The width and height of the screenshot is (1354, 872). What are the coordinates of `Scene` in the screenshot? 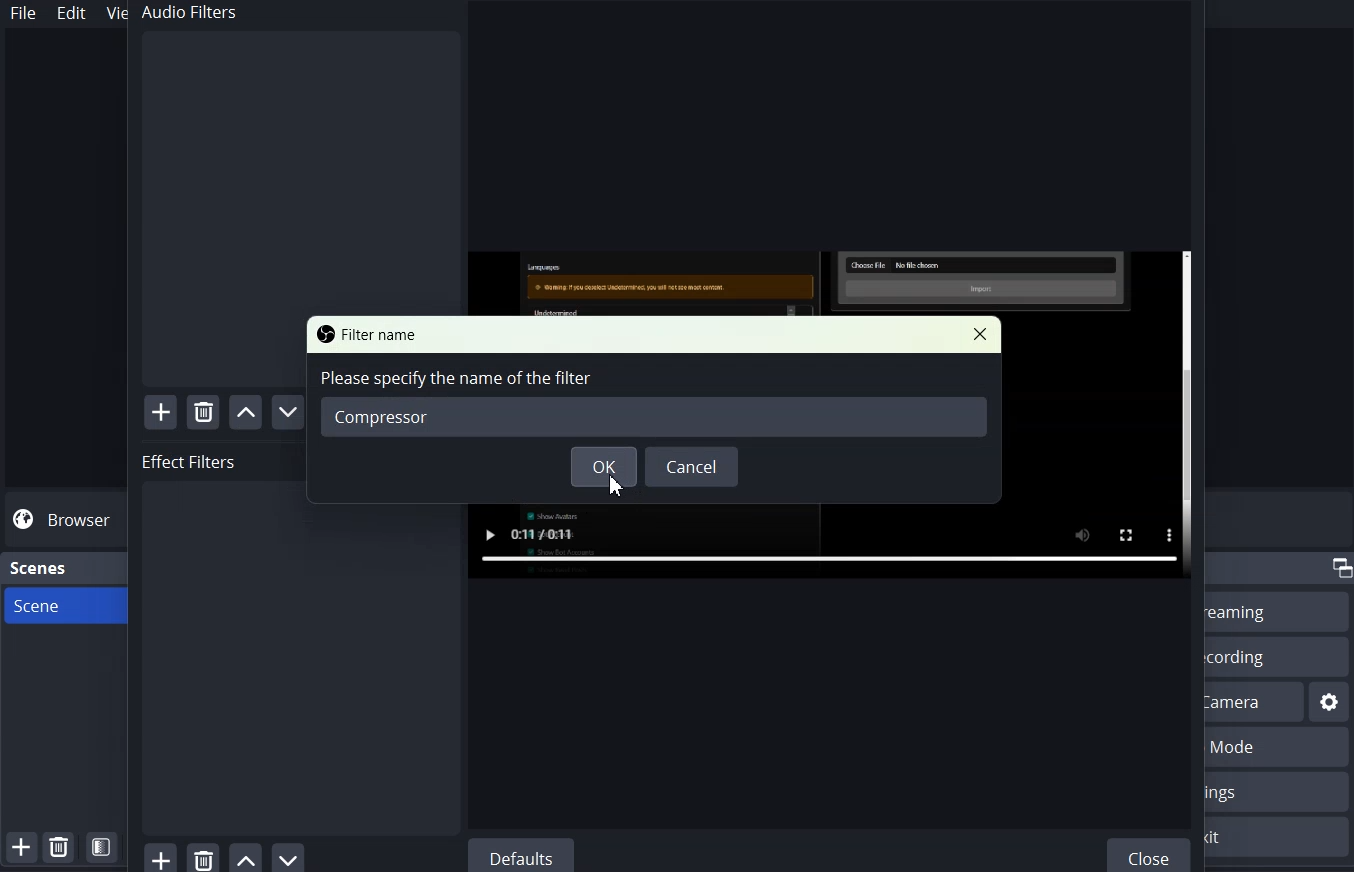 It's located at (59, 605).